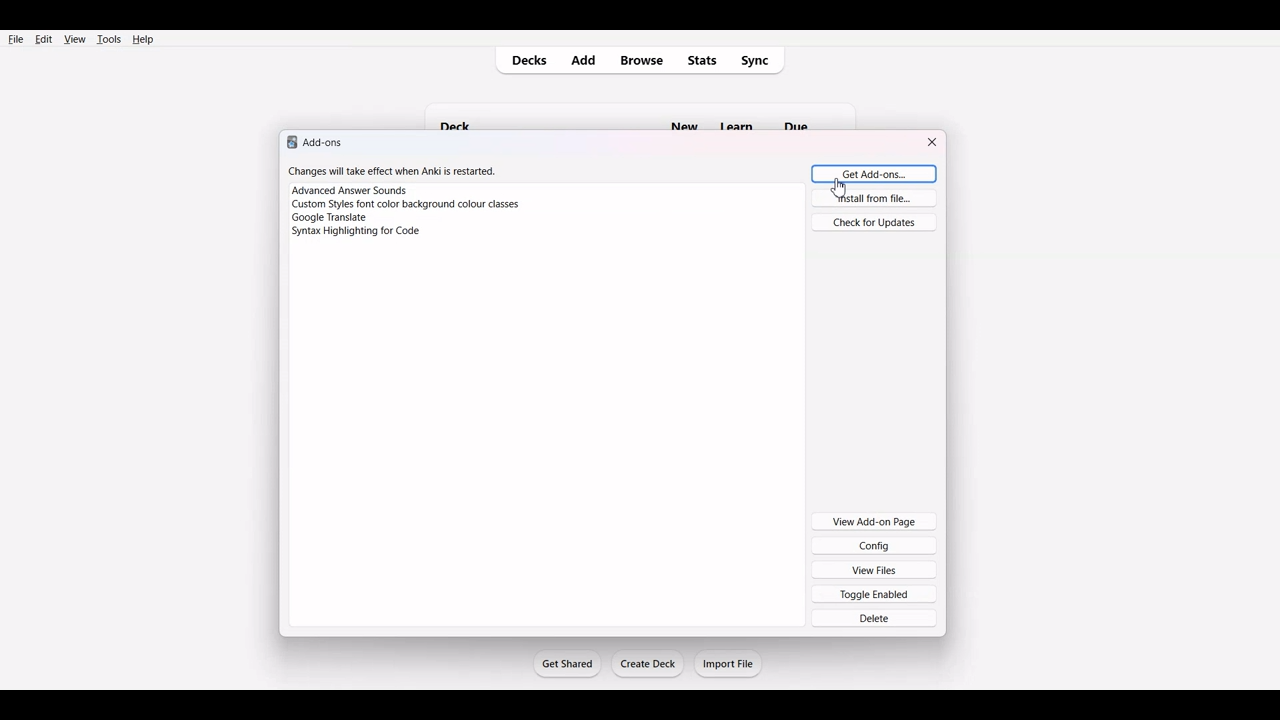 The image size is (1280, 720). Describe the element at coordinates (703, 60) in the screenshot. I see `Stats` at that location.